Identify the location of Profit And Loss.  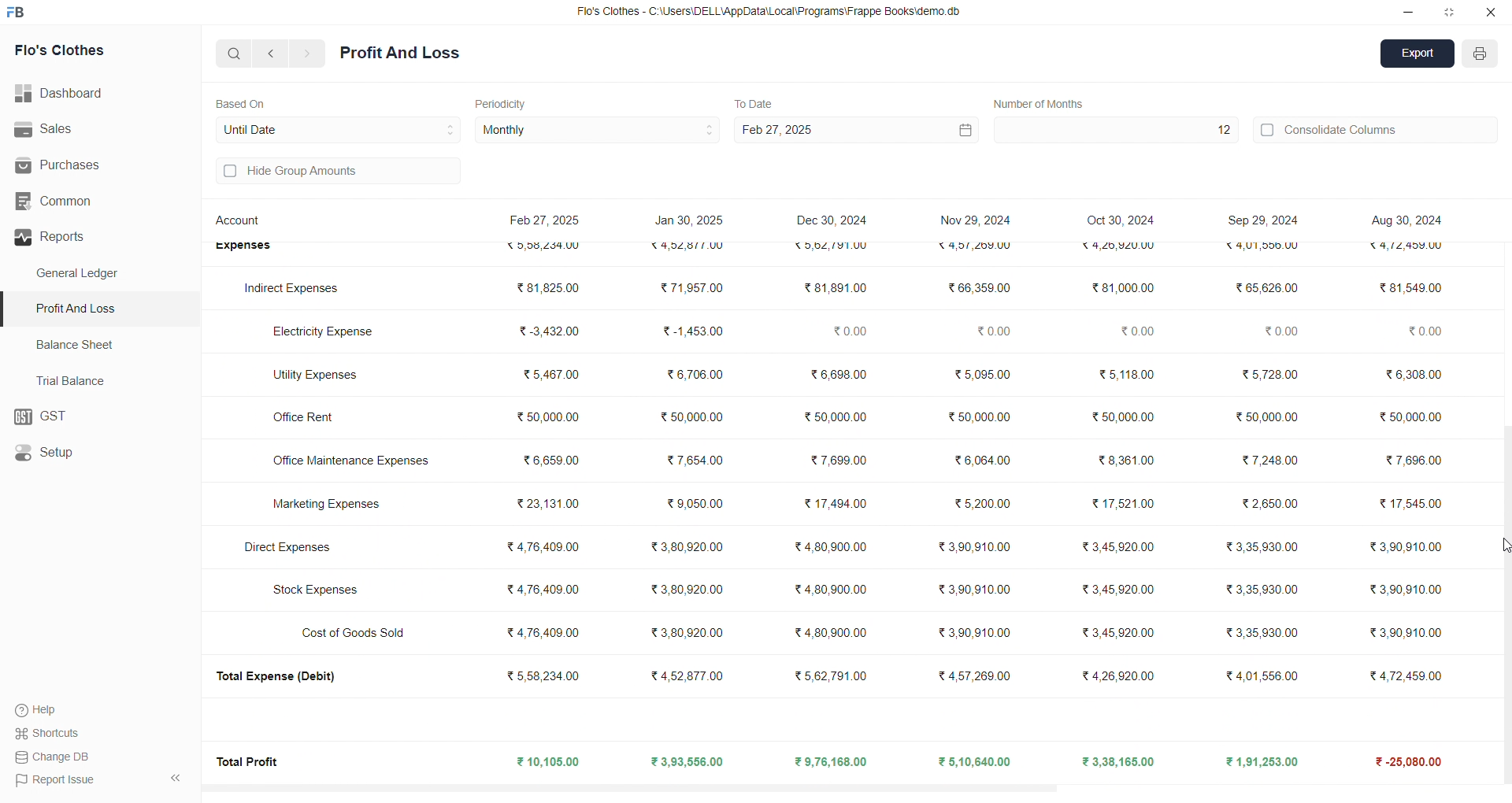
(103, 308).